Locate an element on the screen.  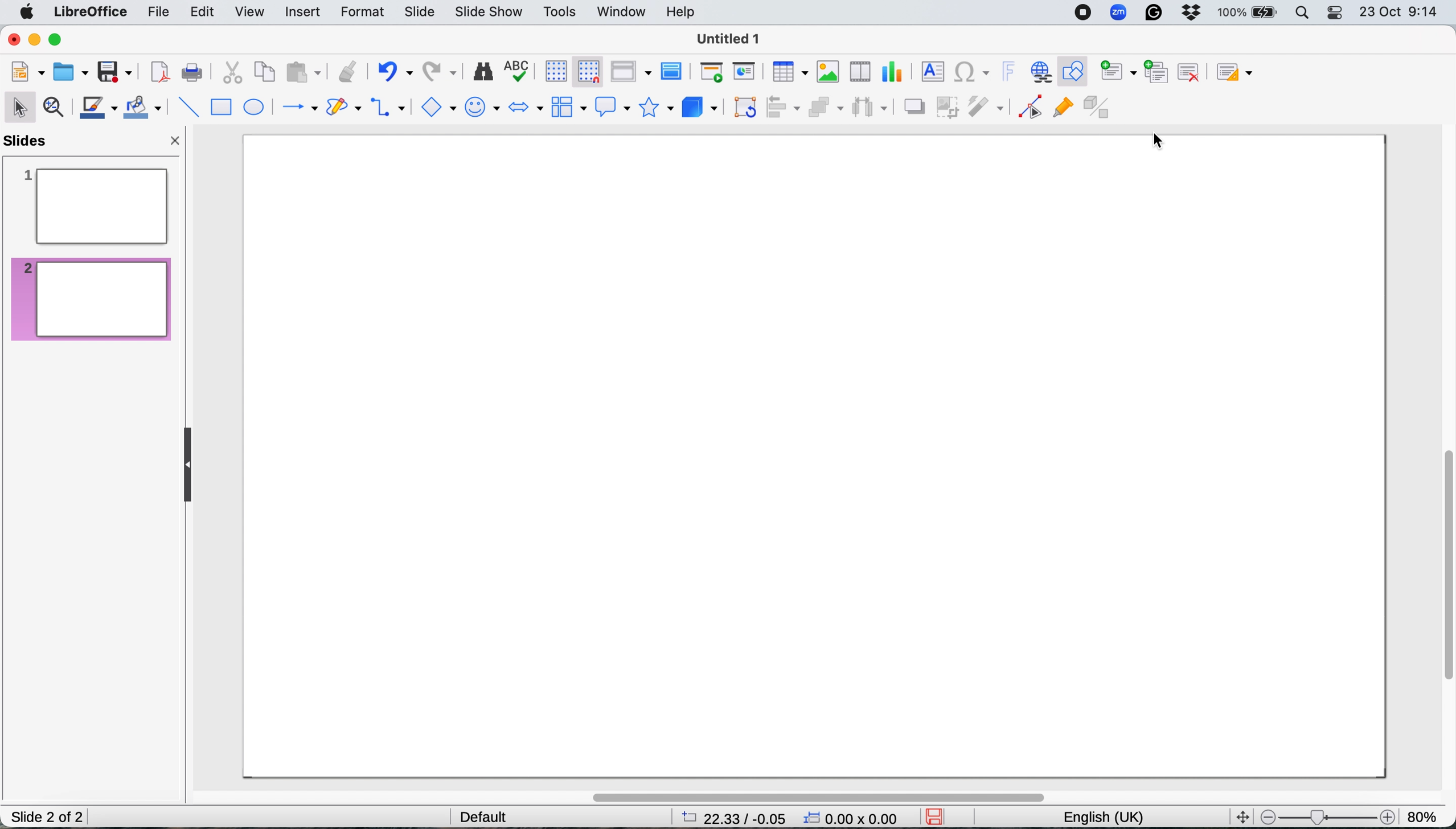
stars and banners is located at coordinates (659, 109).